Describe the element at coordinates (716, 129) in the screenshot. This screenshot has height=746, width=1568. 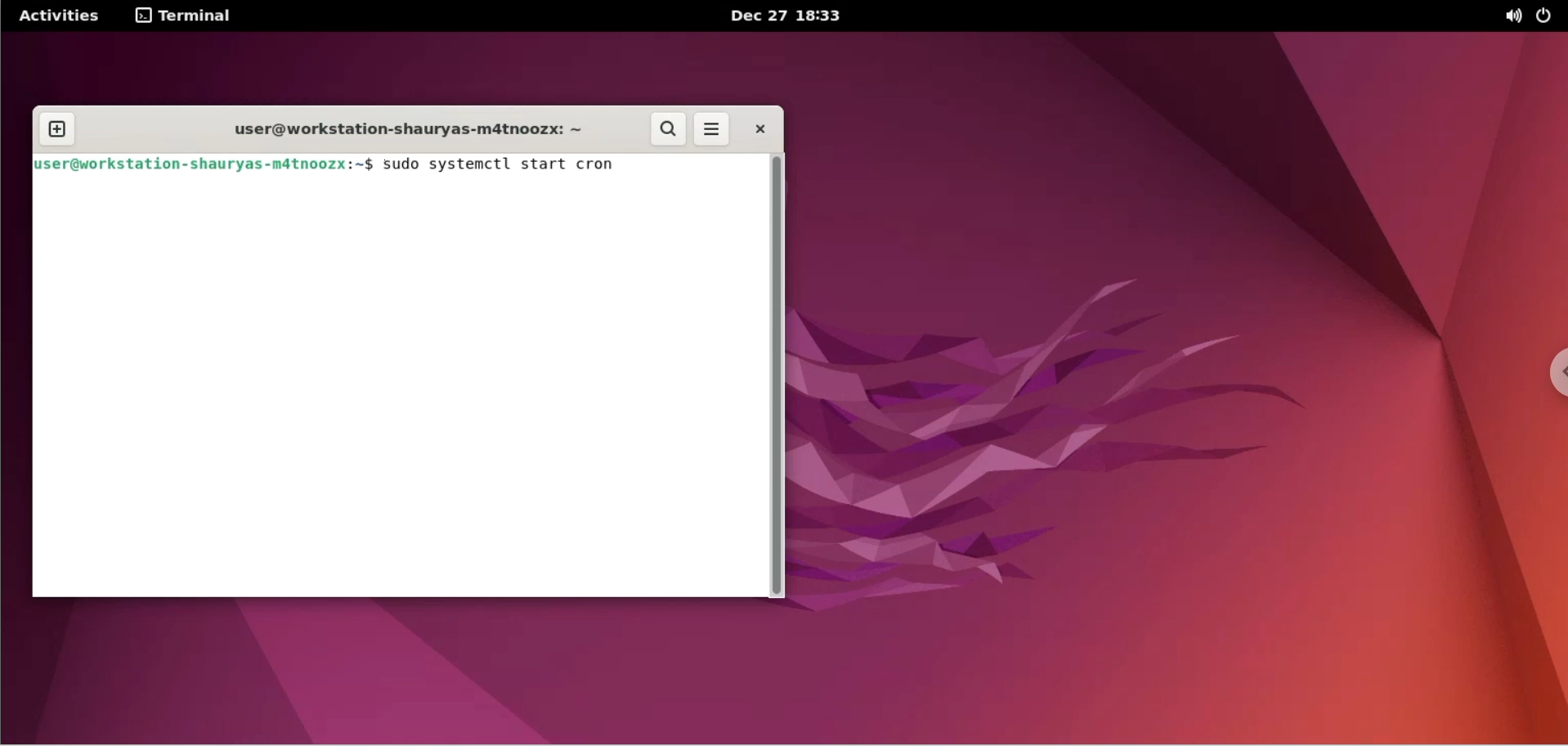
I see `more options` at that location.